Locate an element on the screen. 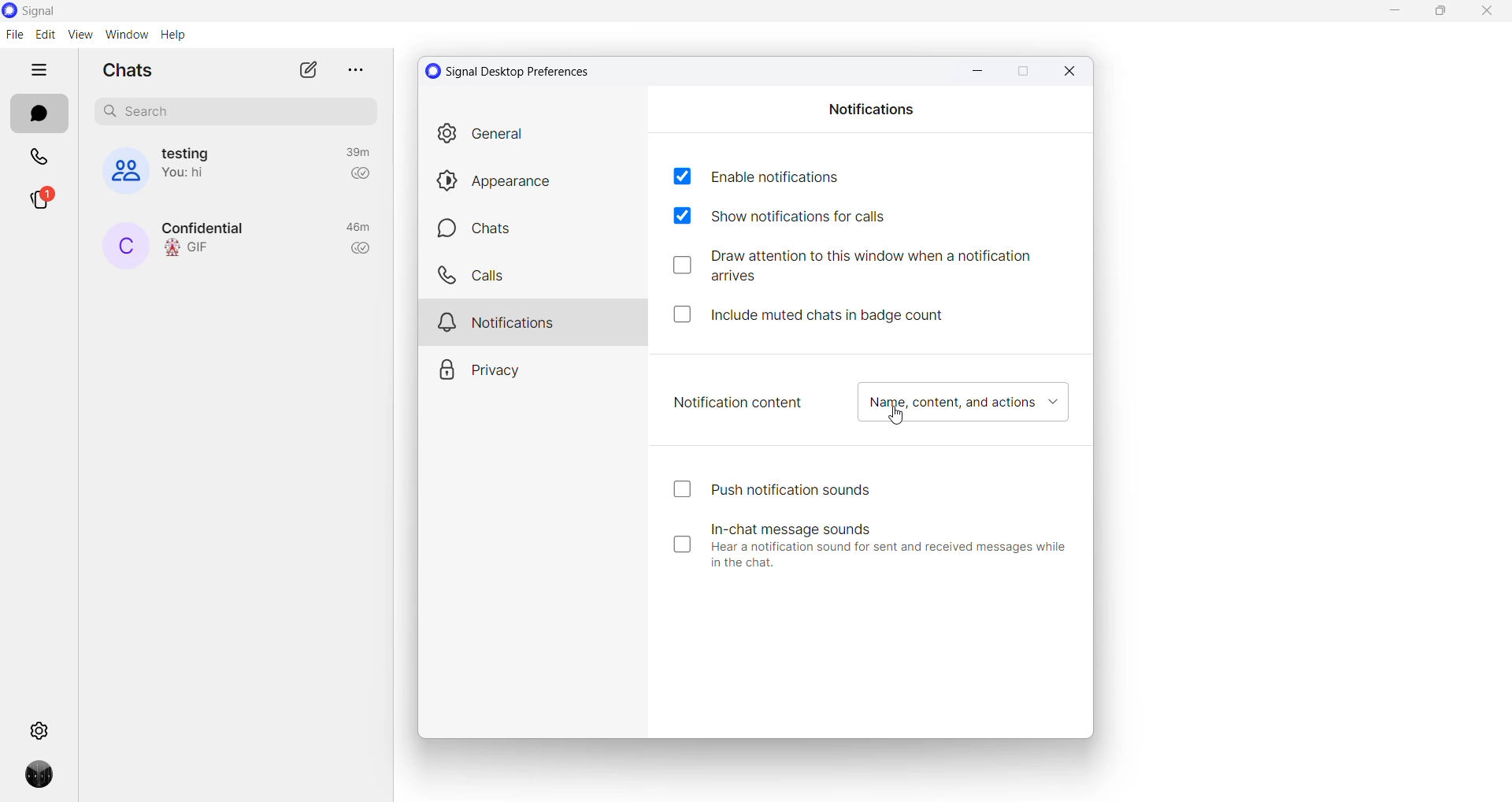  notifications heading is located at coordinates (873, 108).